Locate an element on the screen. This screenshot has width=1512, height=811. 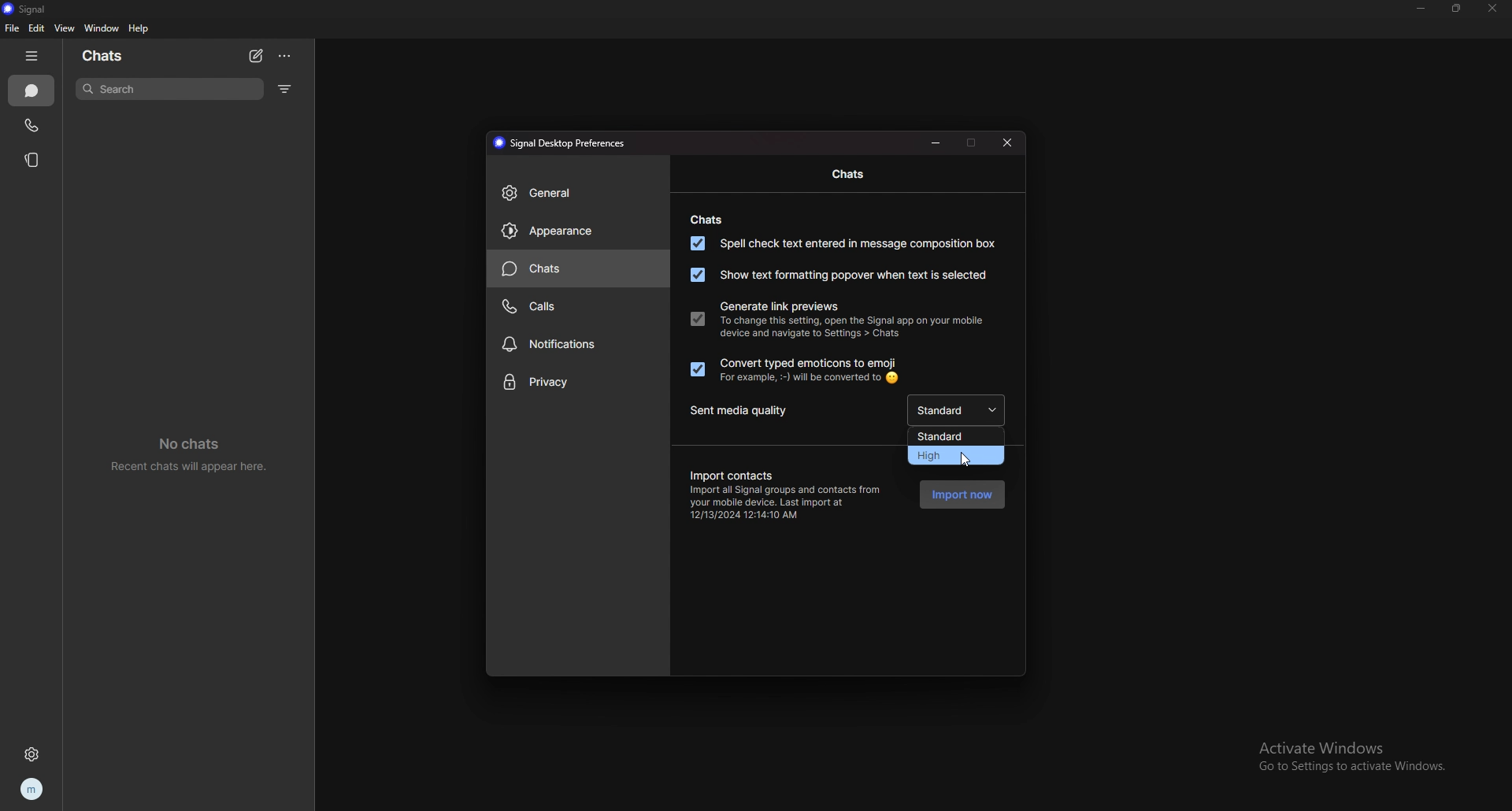
stories is located at coordinates (35, 161).